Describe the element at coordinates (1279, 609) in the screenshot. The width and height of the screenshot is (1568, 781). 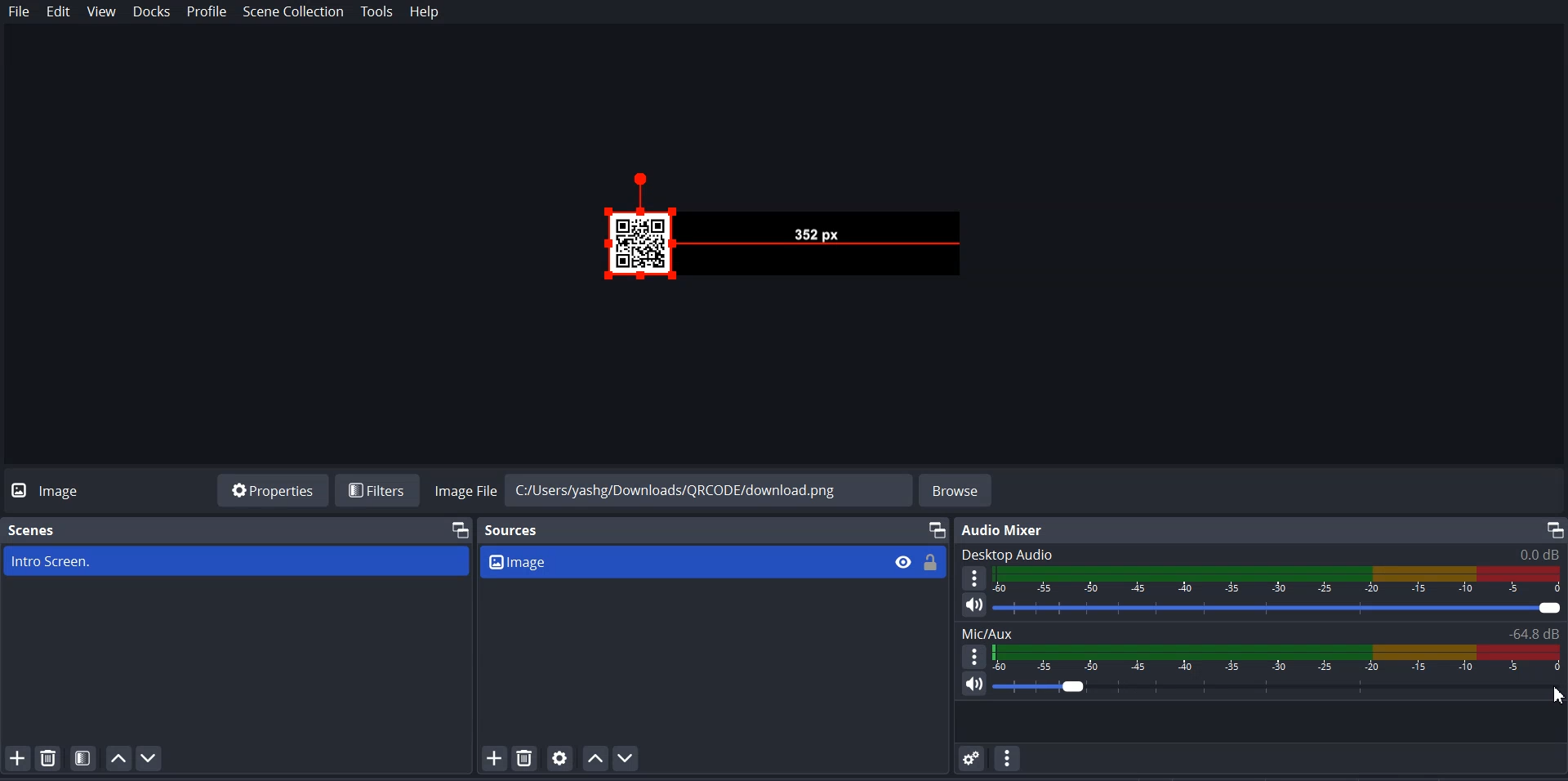
I see `Volume Adjuster` at that location.